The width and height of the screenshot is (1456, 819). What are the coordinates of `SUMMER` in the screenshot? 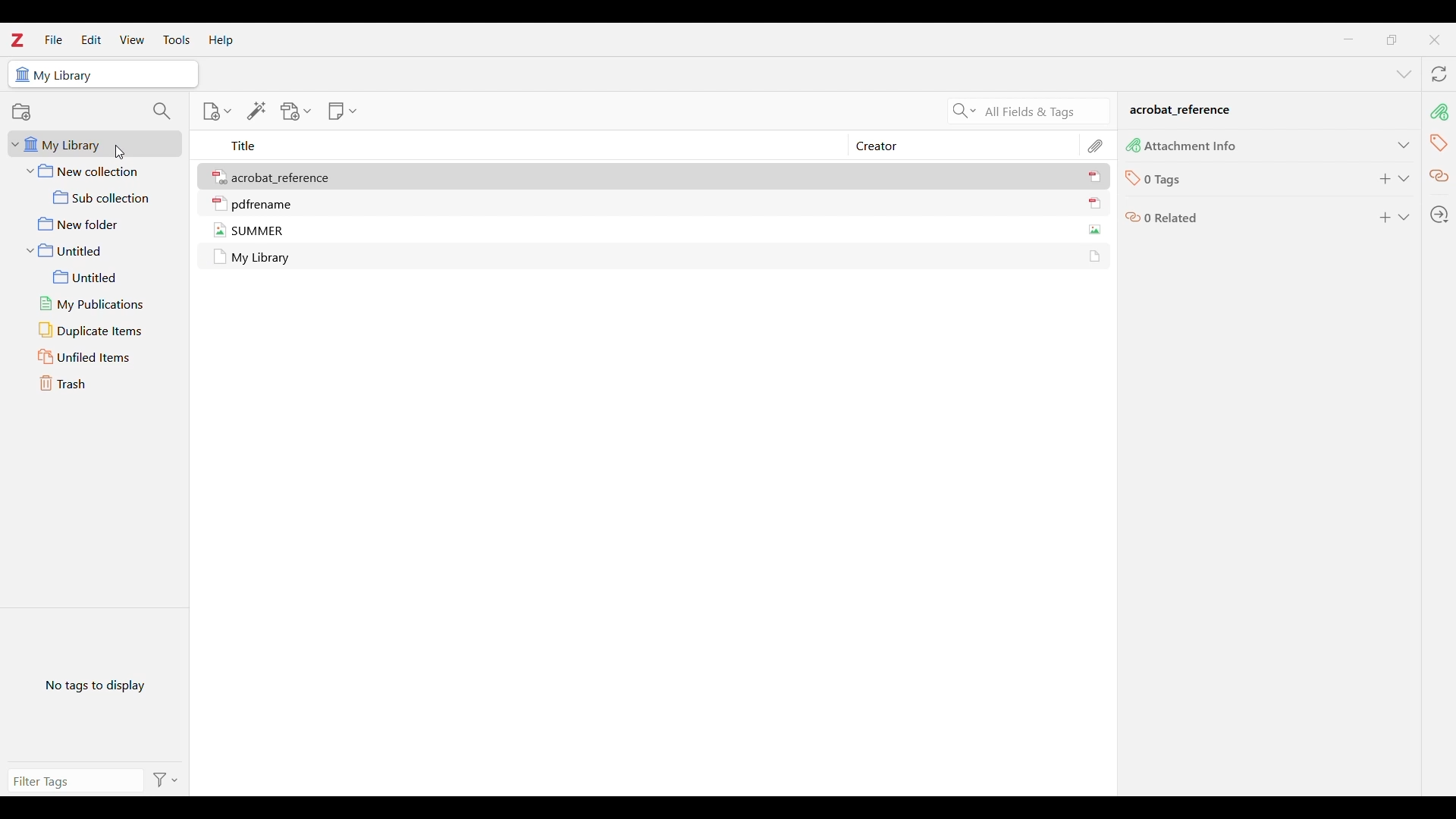 It's located at (259, 231).